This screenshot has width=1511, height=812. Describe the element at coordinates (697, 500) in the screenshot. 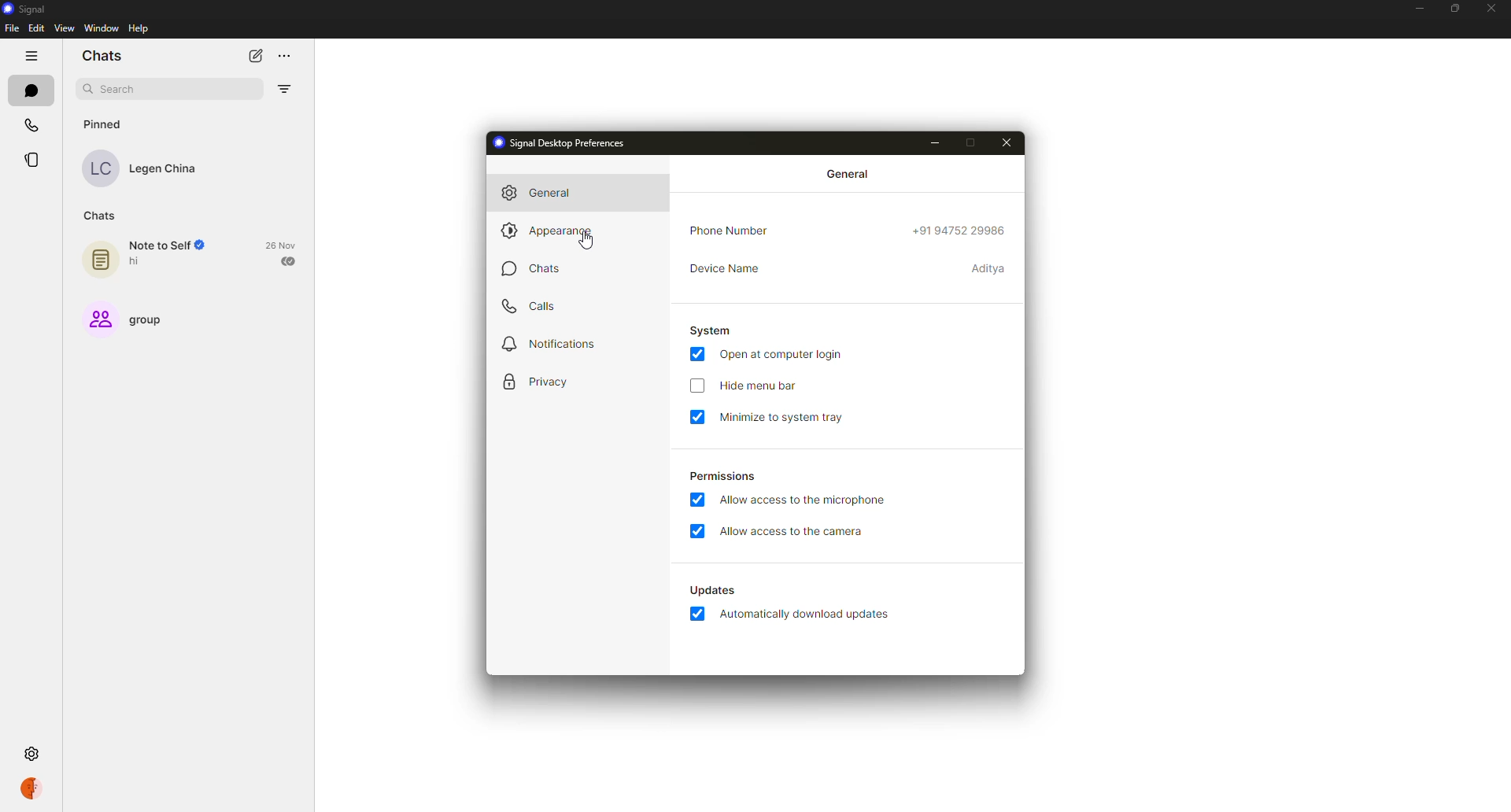

I see `enabled` at that location.